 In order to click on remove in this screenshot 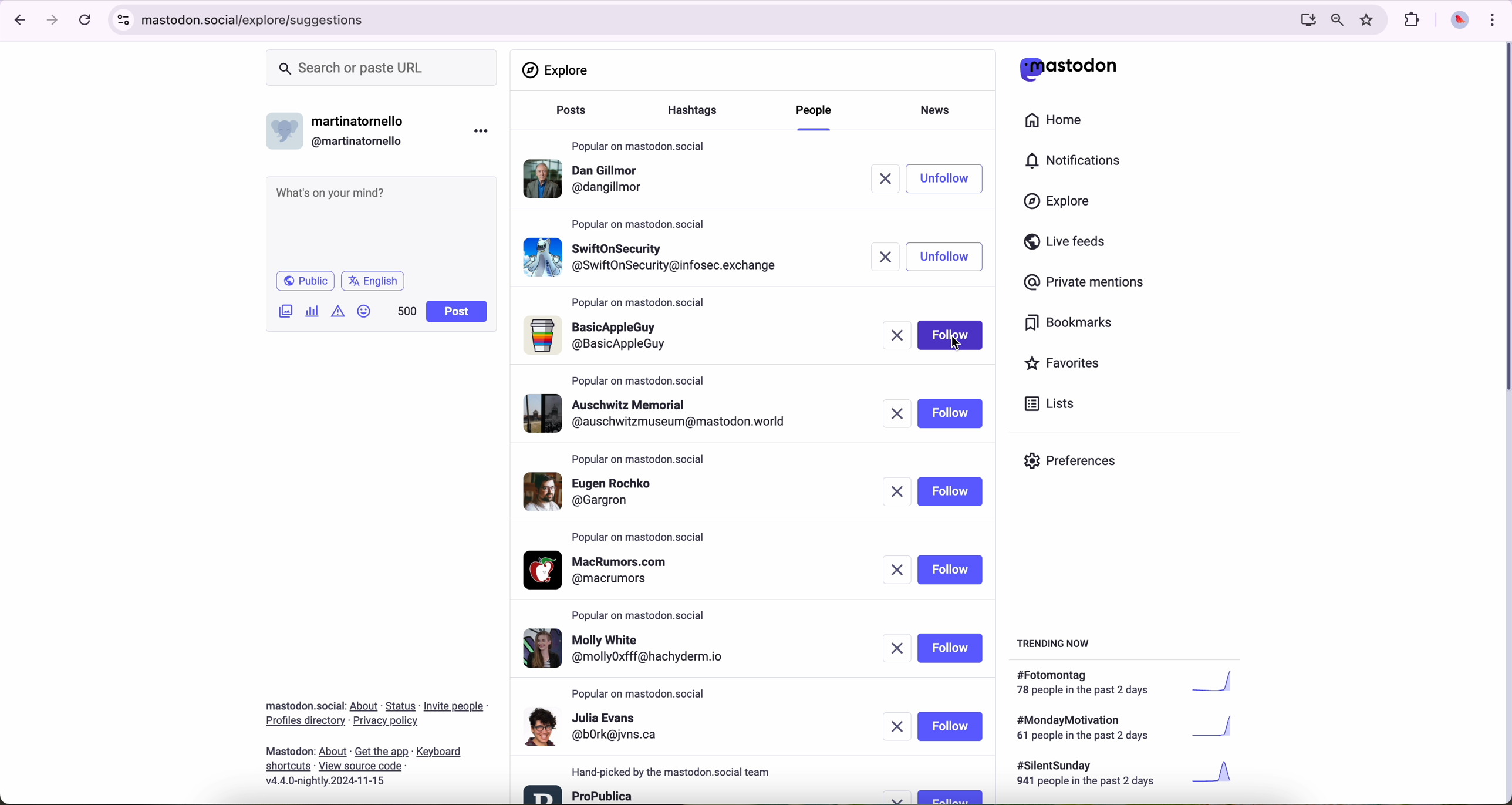, I will do `click(895, 336)`.